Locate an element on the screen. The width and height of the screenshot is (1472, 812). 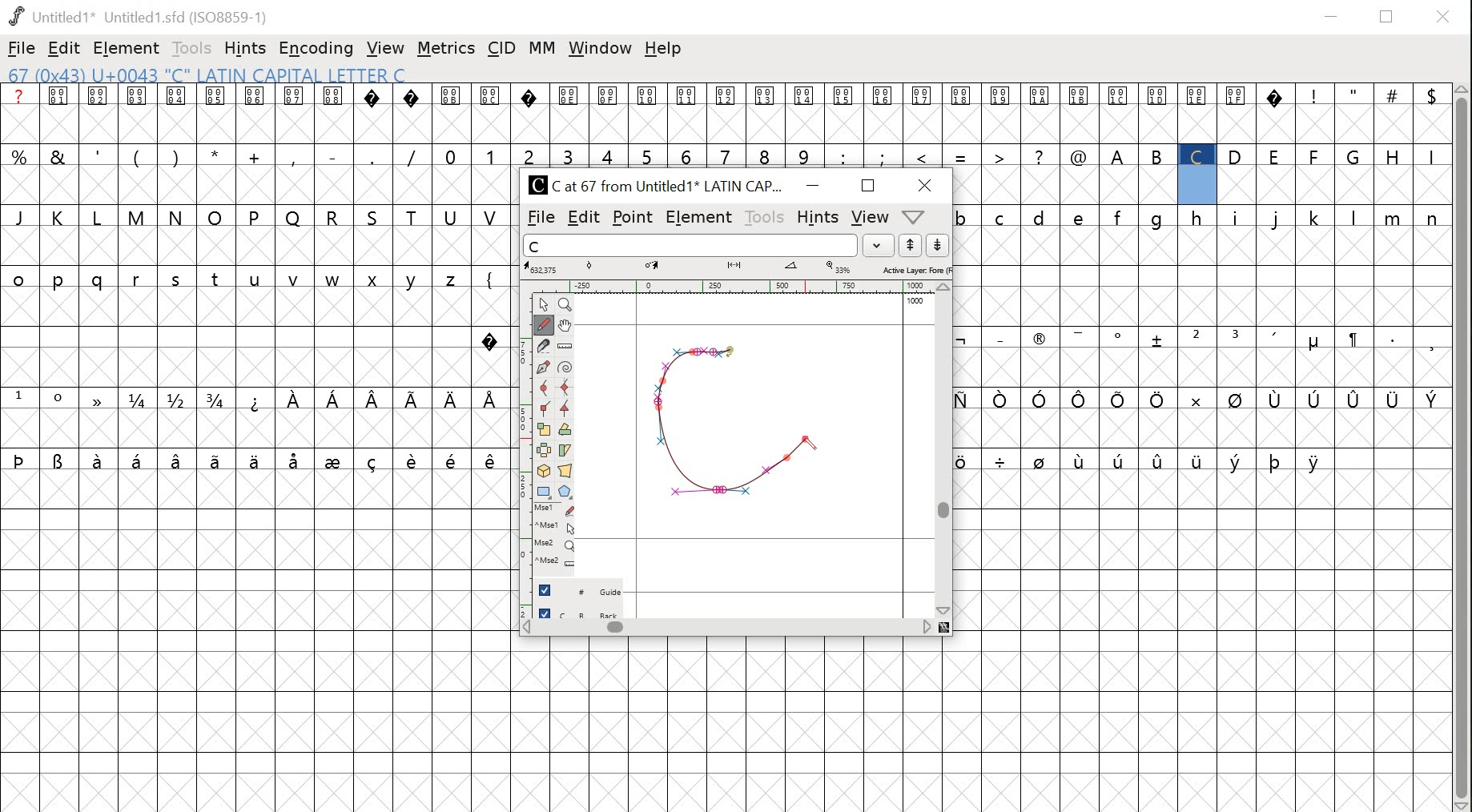
3D rotate is located at coordinates (546, 472).